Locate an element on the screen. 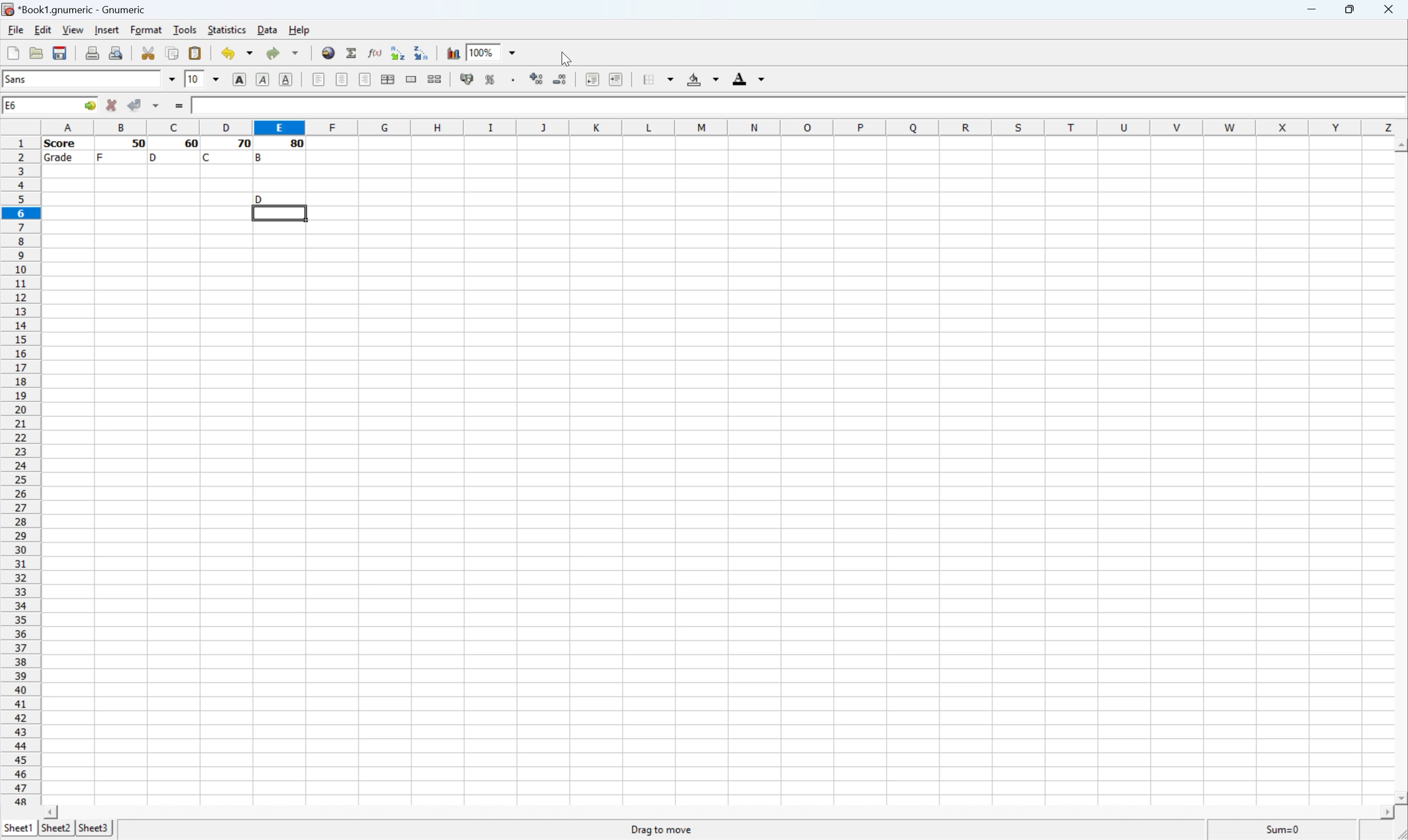 This screenshot has width=1408, height=840. Minimize is located at coordinates (1311, 10).